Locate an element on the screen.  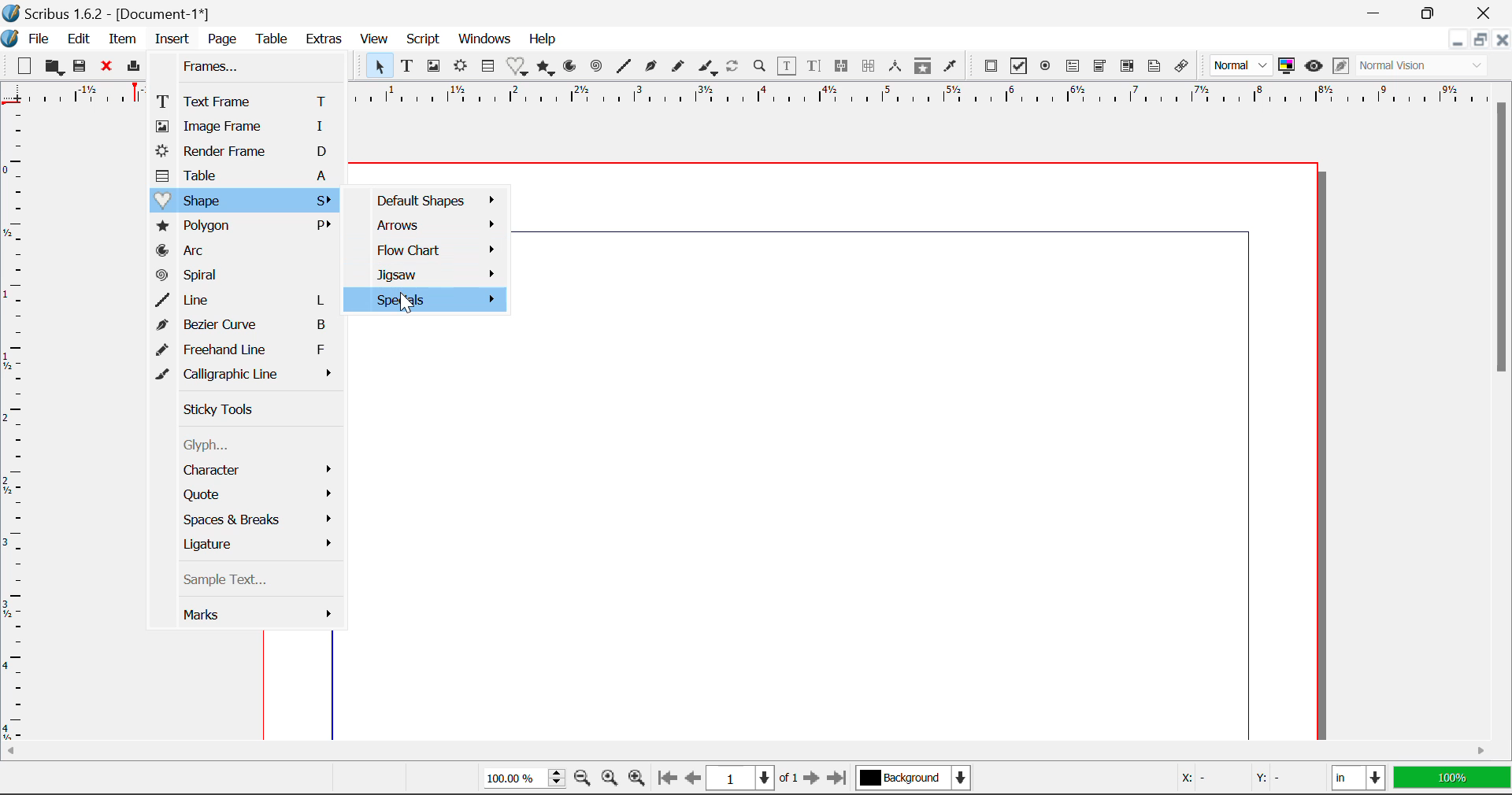
Ligiature is located at coordinates (251, 545).